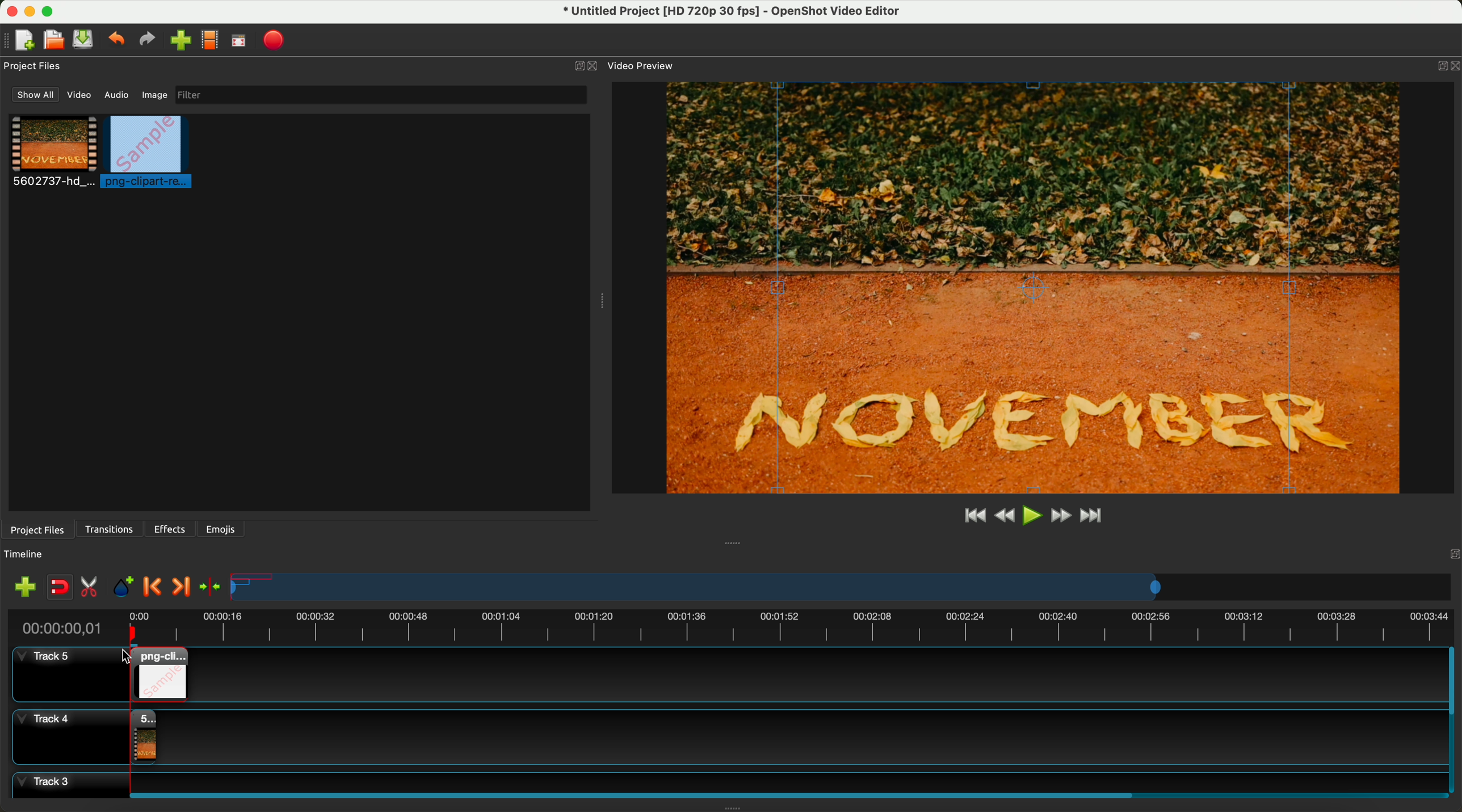 The width and height of the screenshot is (1462, 812). Describe the element at coordinates (53, 41) in the screenshot. I see `open project` at that location.